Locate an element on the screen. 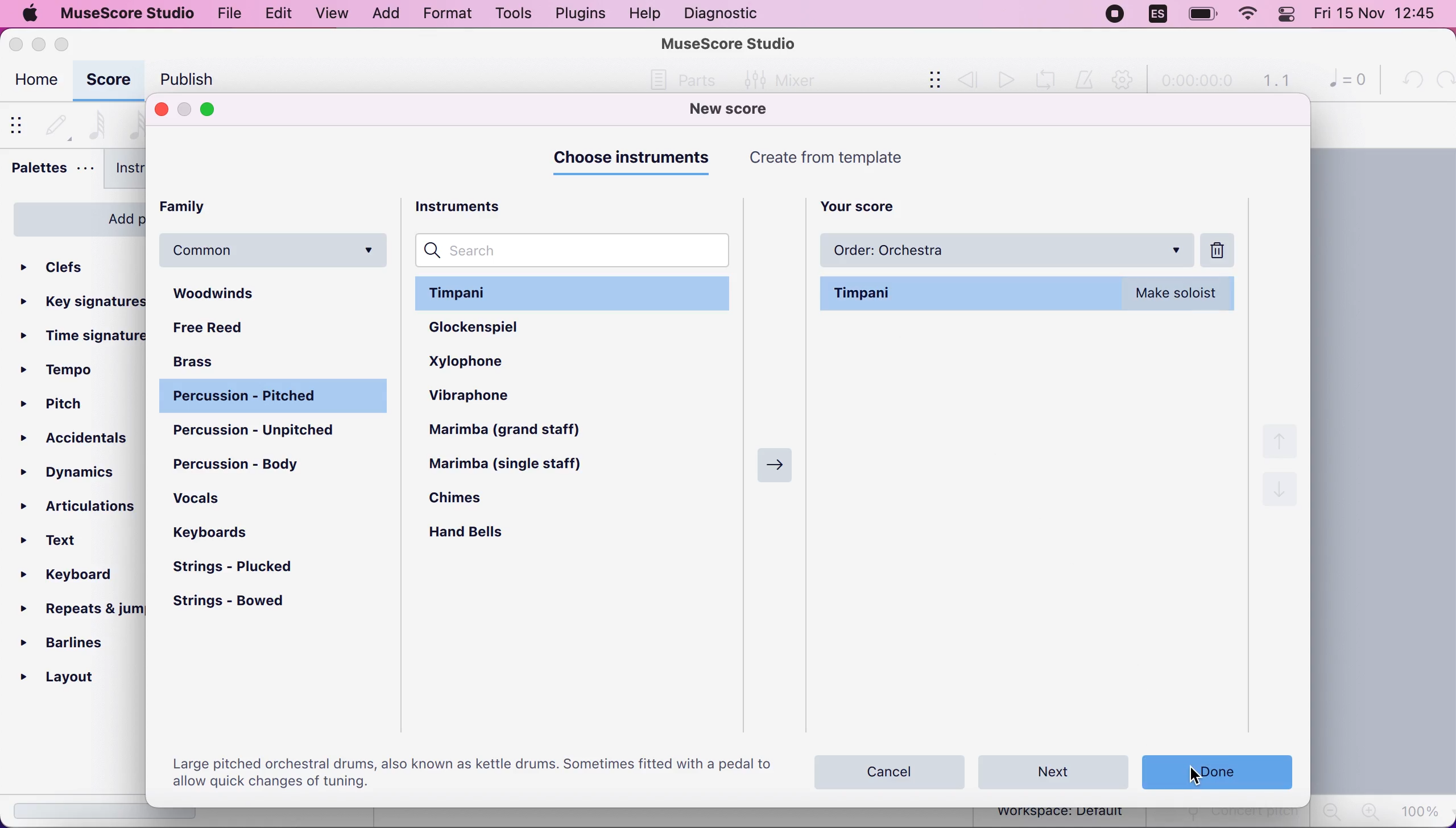 The height and width of the screenshot is (828, 1456). up is located at coordinates (1283, 440).